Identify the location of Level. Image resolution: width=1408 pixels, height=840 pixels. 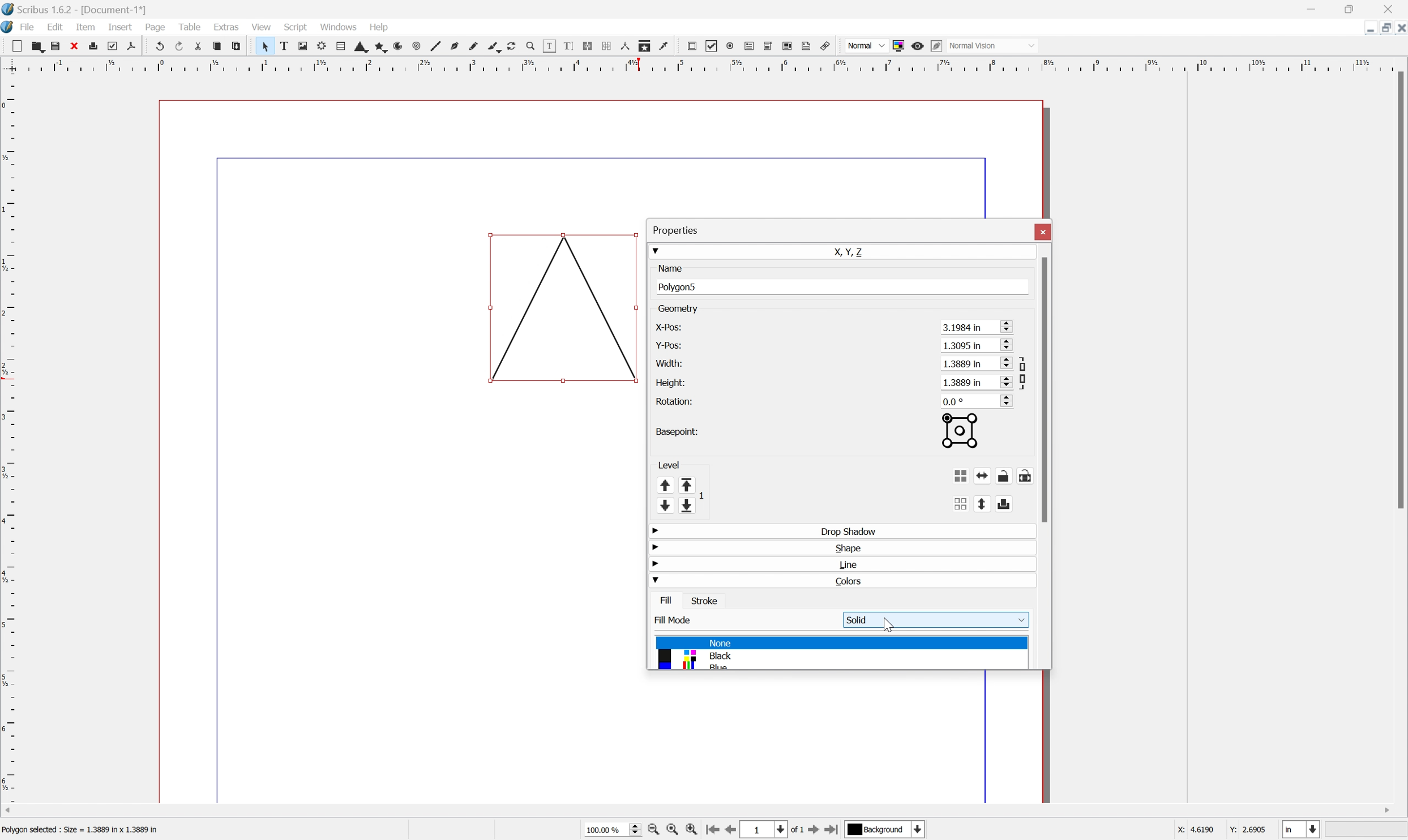
(679, 494).